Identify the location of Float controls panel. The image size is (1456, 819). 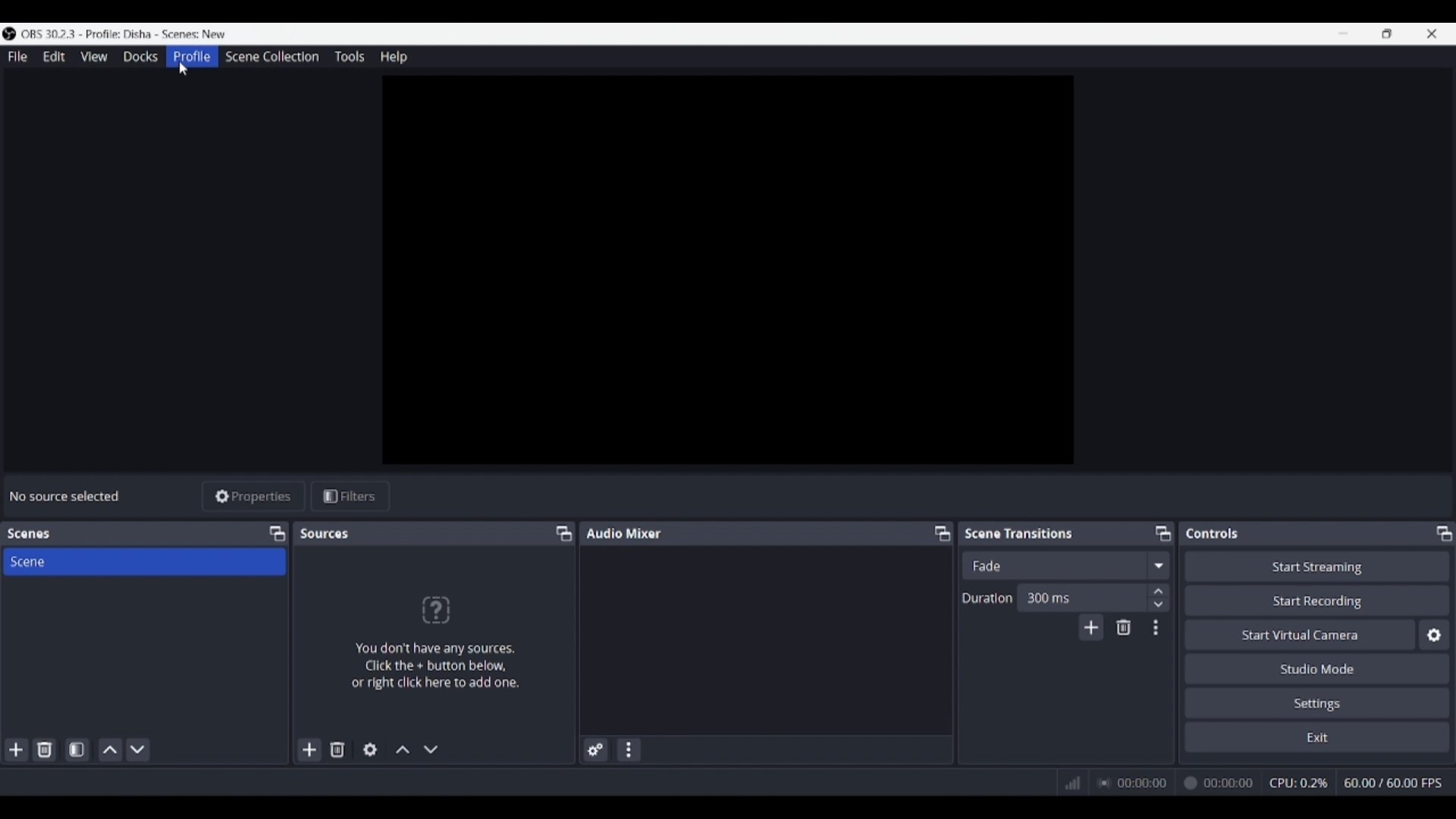
(1444, 533).